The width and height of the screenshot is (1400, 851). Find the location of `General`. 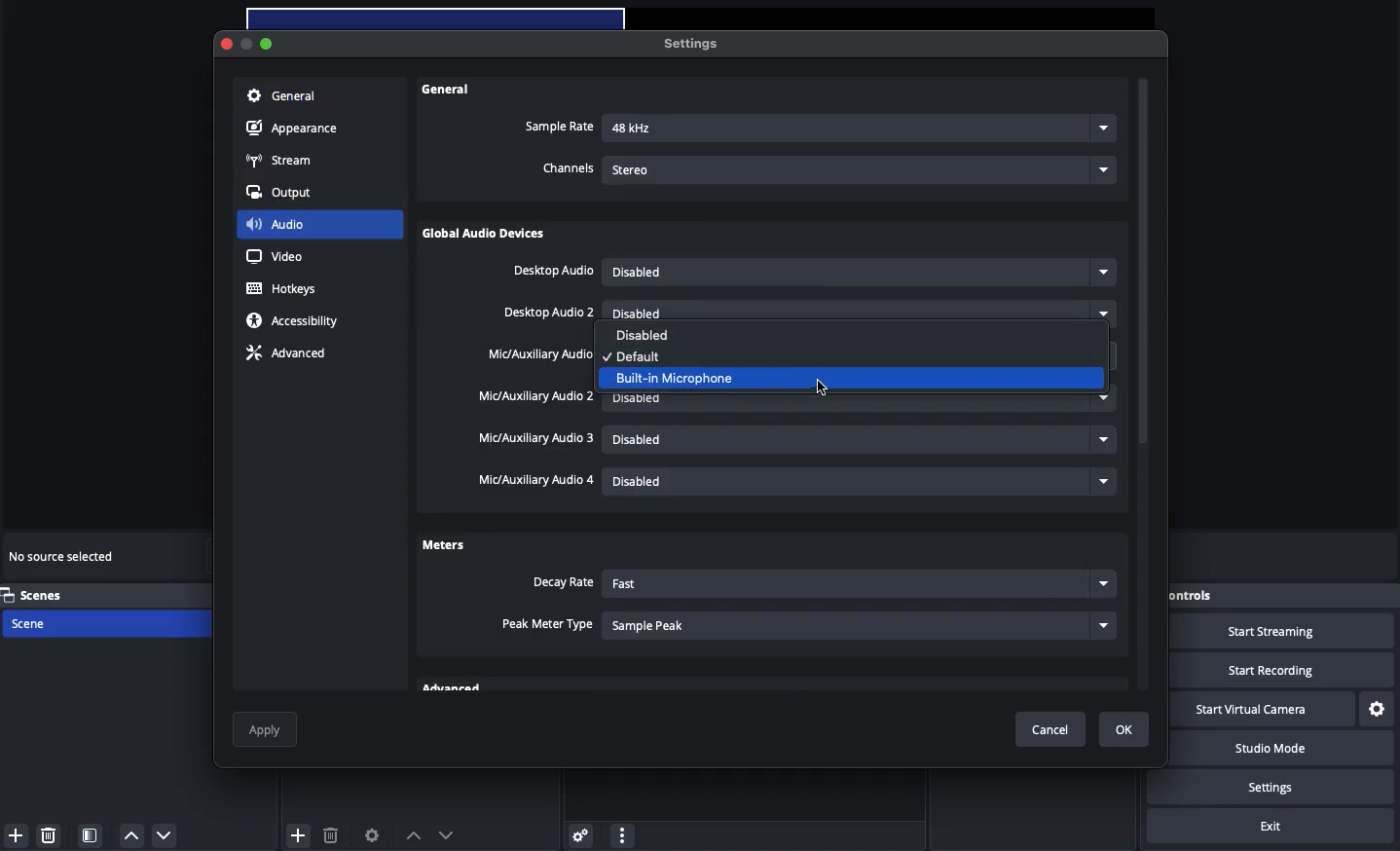

General is located at coordinates (449, 90).